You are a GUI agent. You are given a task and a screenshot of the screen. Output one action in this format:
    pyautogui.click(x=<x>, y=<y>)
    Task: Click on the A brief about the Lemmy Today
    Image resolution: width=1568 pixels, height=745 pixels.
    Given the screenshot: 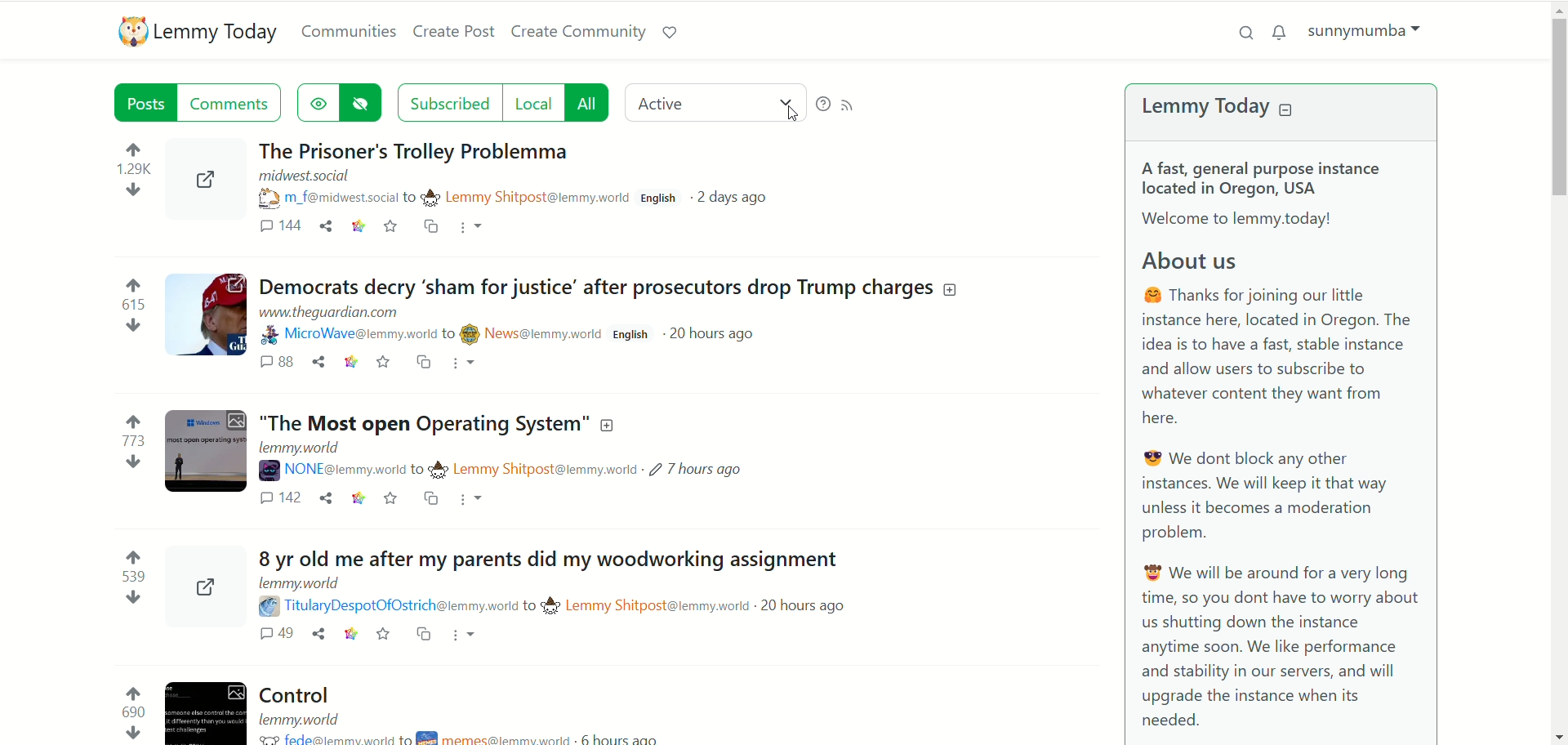 What is the action you would take?
    pyautogui.click(x=1281, y=442)
    